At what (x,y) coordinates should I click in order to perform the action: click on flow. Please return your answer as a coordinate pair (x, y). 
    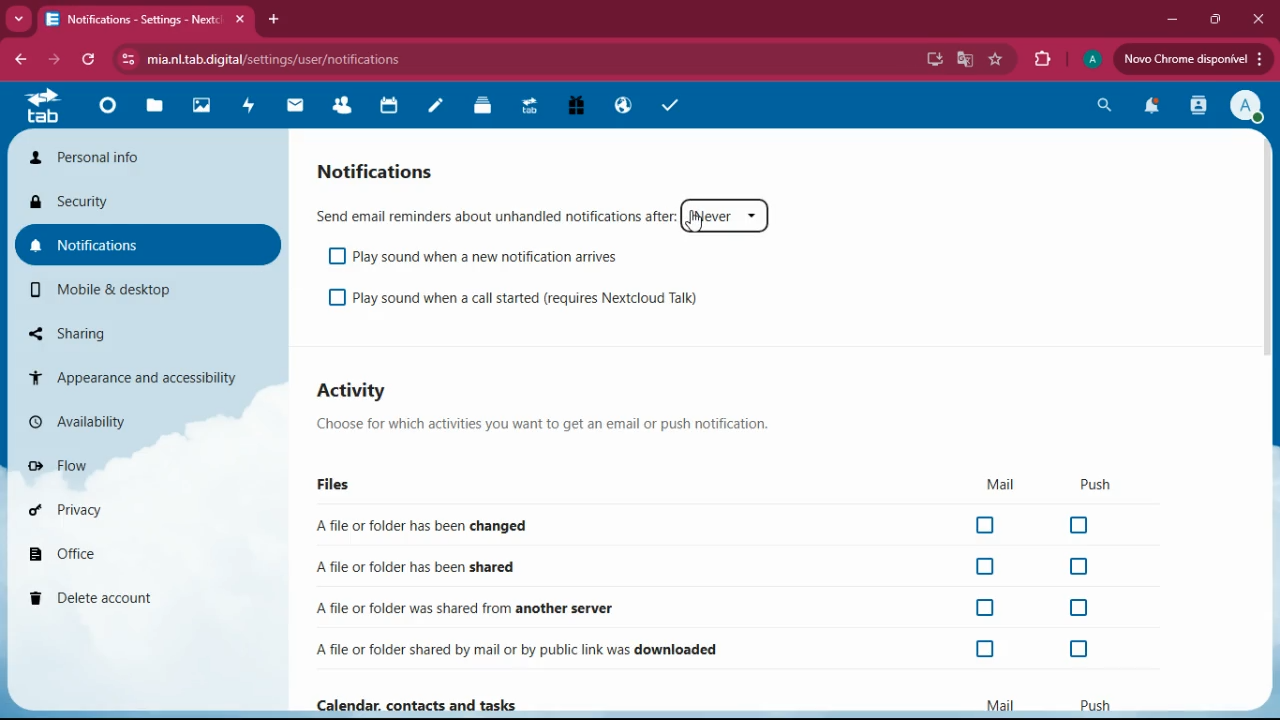
    Looking at the image, I should click on (125, 466).